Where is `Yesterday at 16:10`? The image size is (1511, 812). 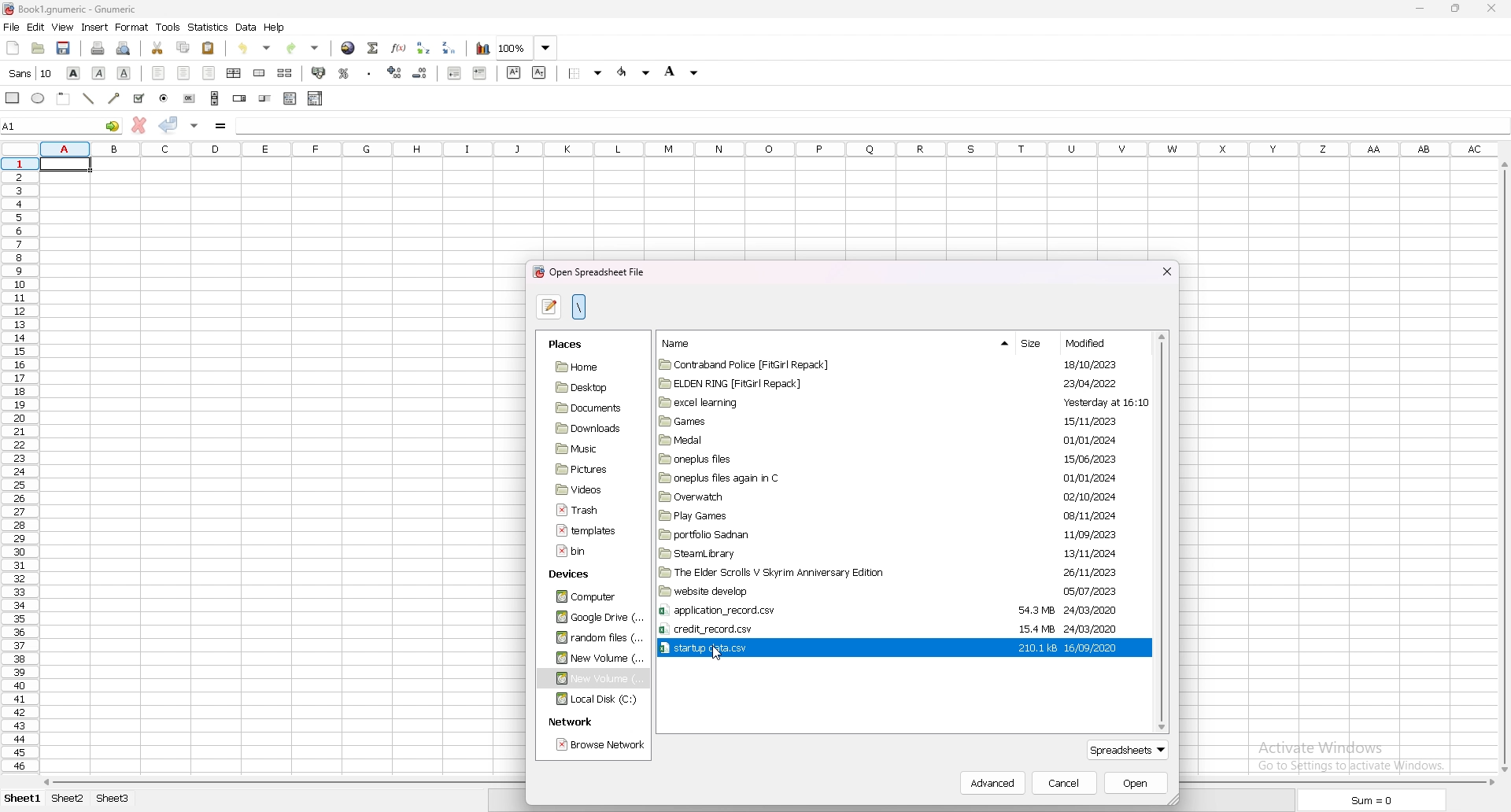
Yesterday at 16:10 is located at coordinates (1088, 403).